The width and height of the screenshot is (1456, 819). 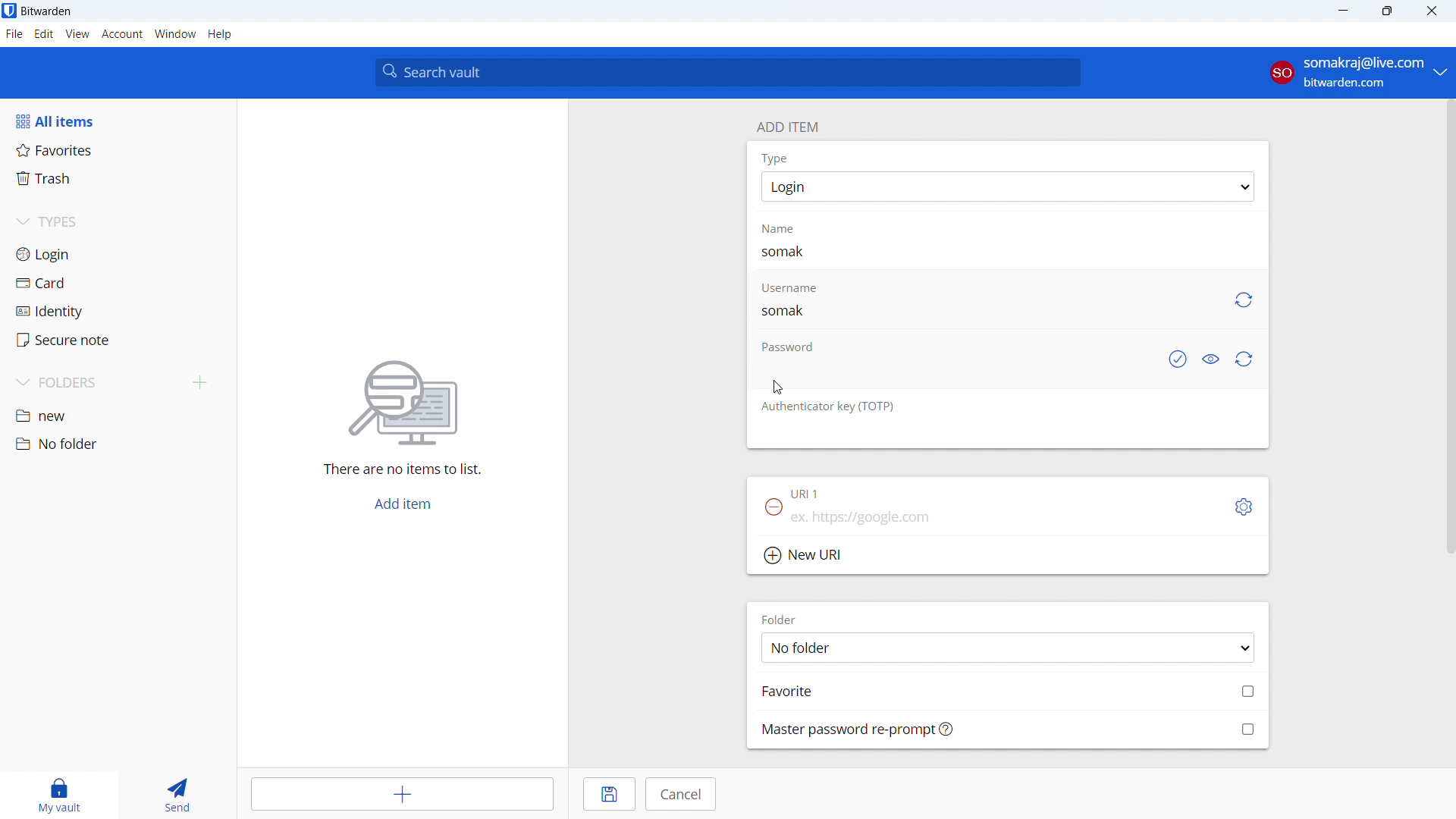 What do you see at coordinates (96, 383) in the screenshot?
I see `folders` at bounding box center [96, 383].